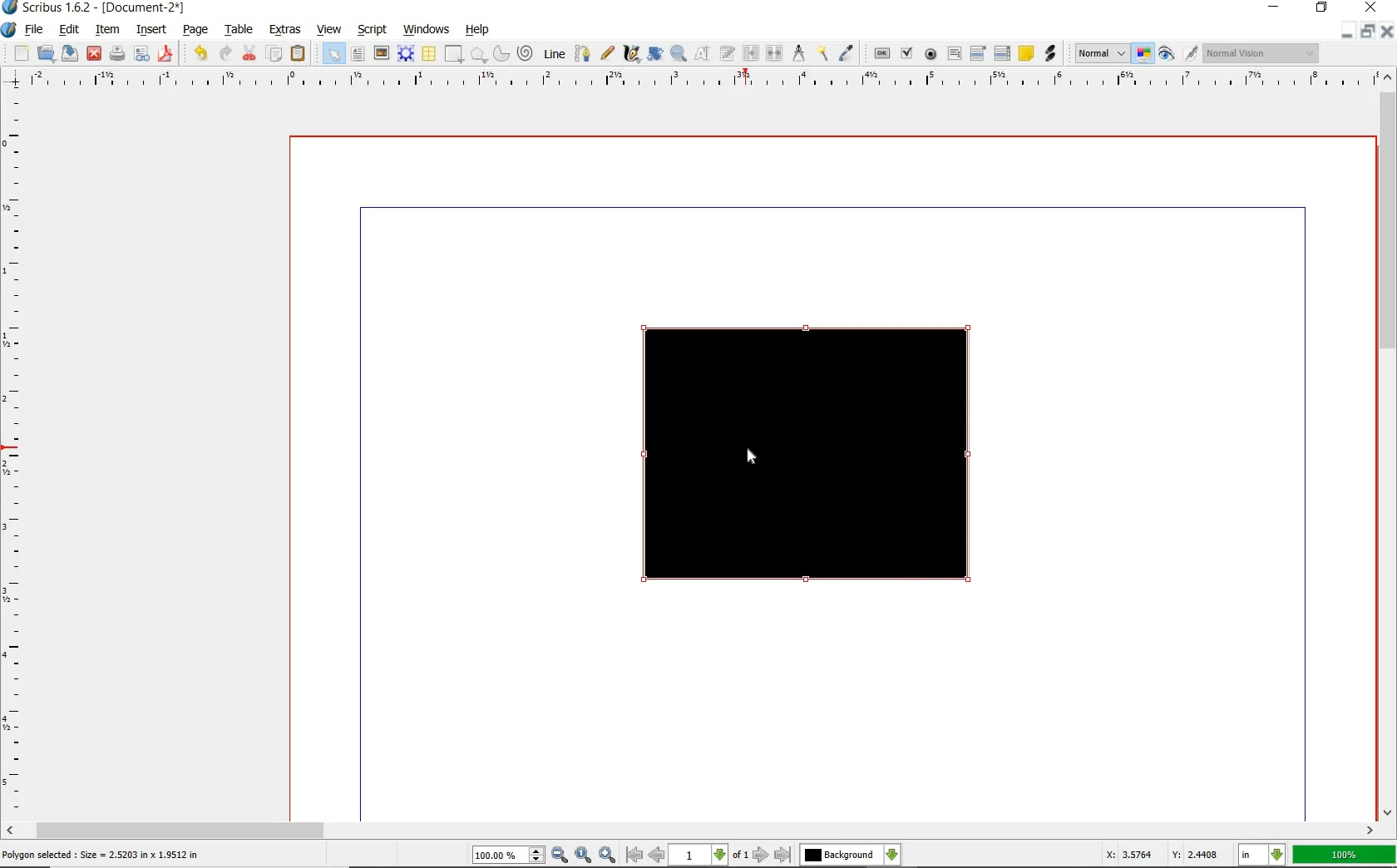  I want to click on table, so click(239, 31).